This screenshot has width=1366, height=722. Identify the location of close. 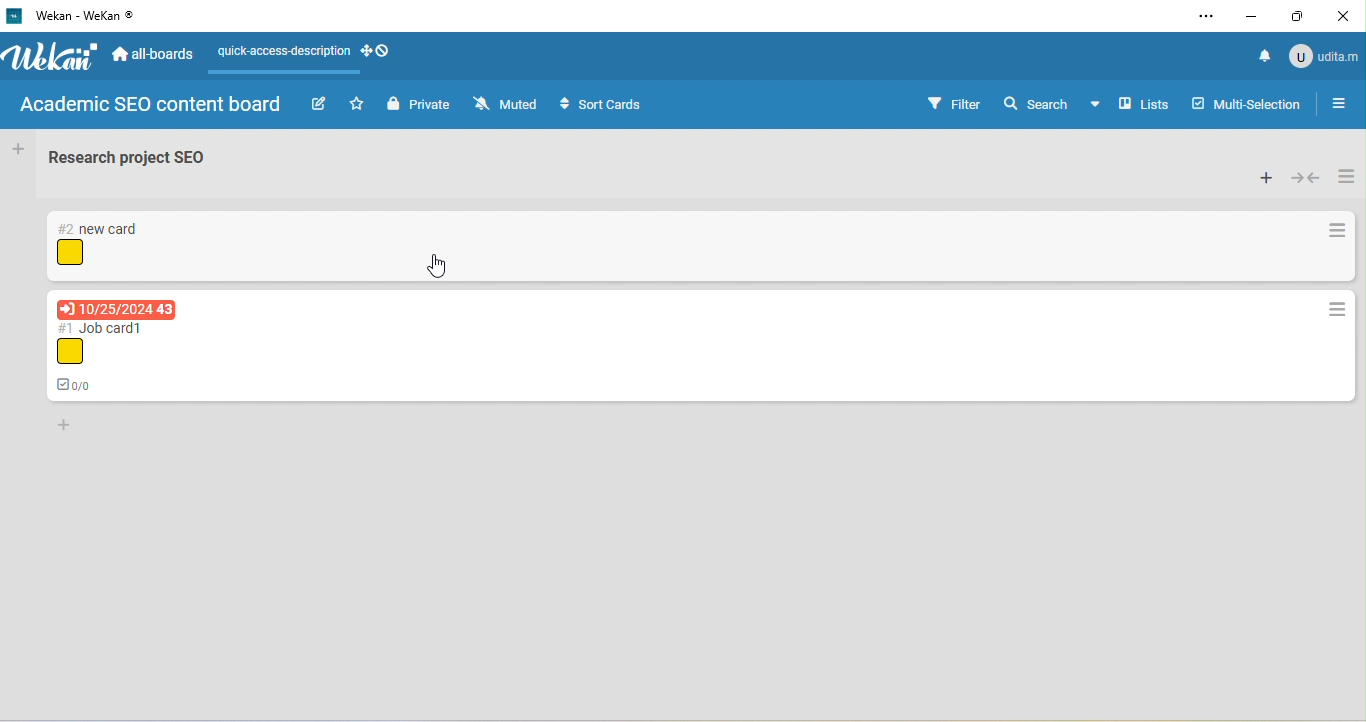
(1346, 14).